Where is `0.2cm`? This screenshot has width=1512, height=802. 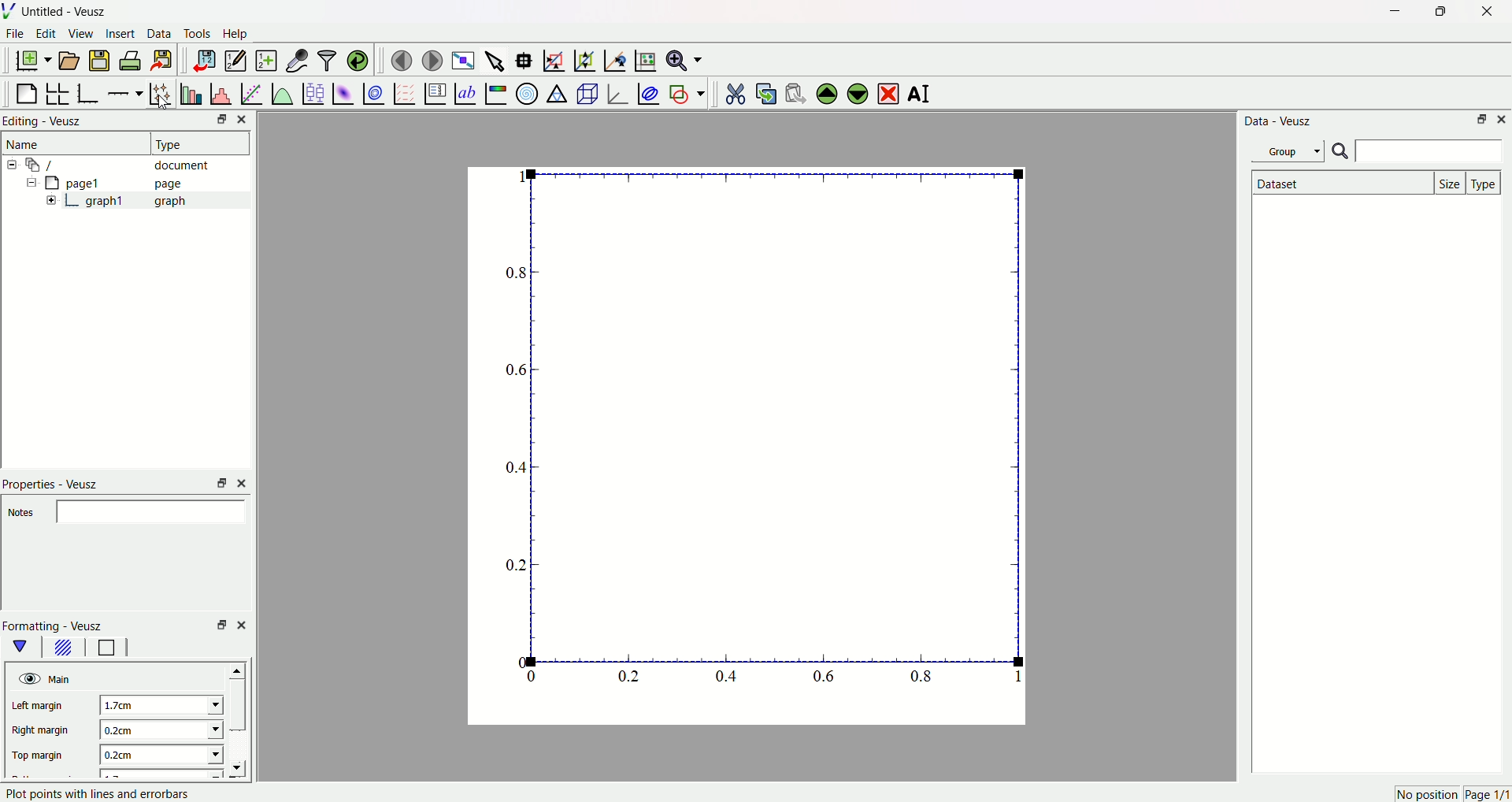
0.2cm is located at coordinates (157, 730).